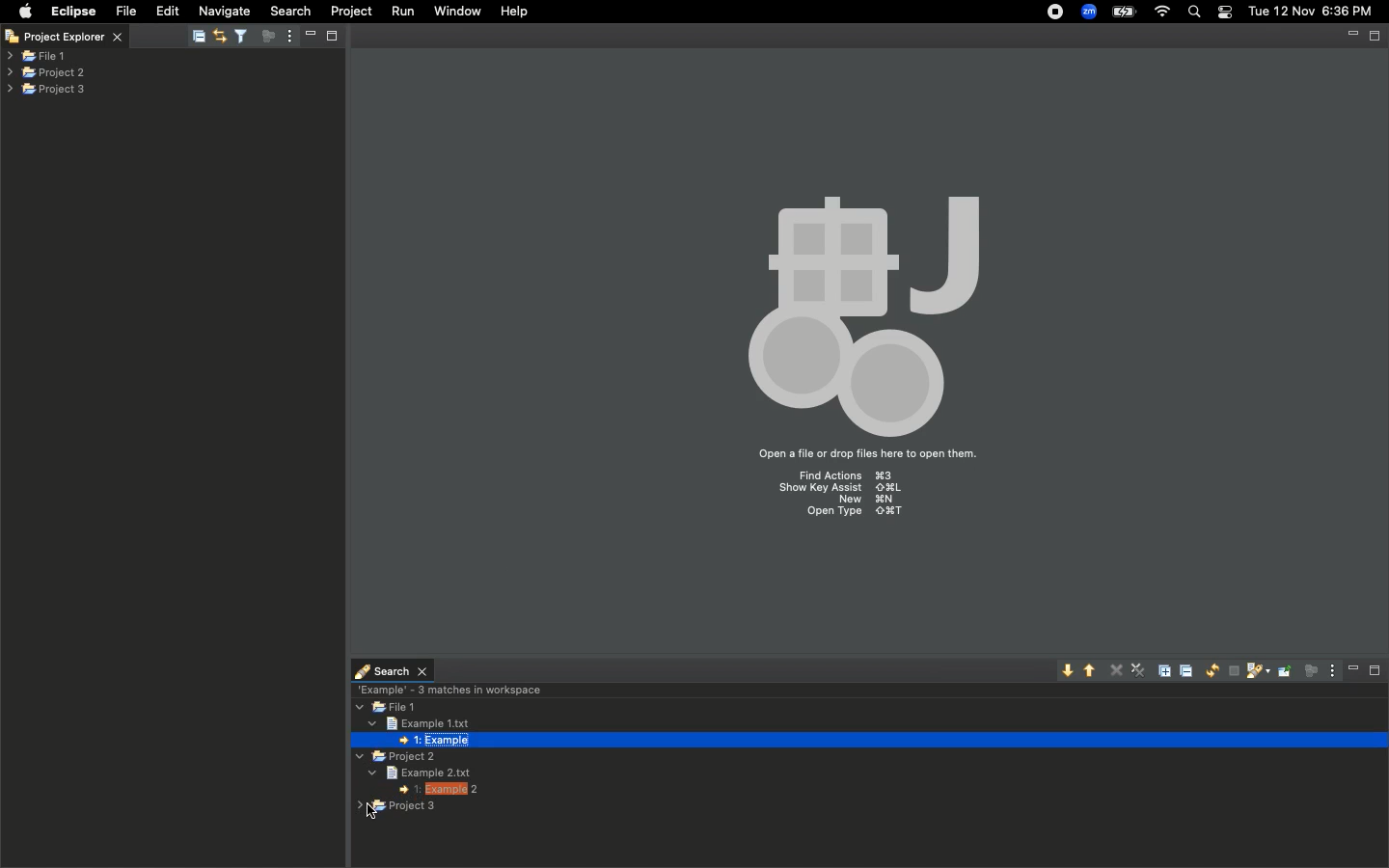  What do you see at coordinates (1352, 37) in the screenshot?
I see `minimize` at bounding box center [1352, 37].